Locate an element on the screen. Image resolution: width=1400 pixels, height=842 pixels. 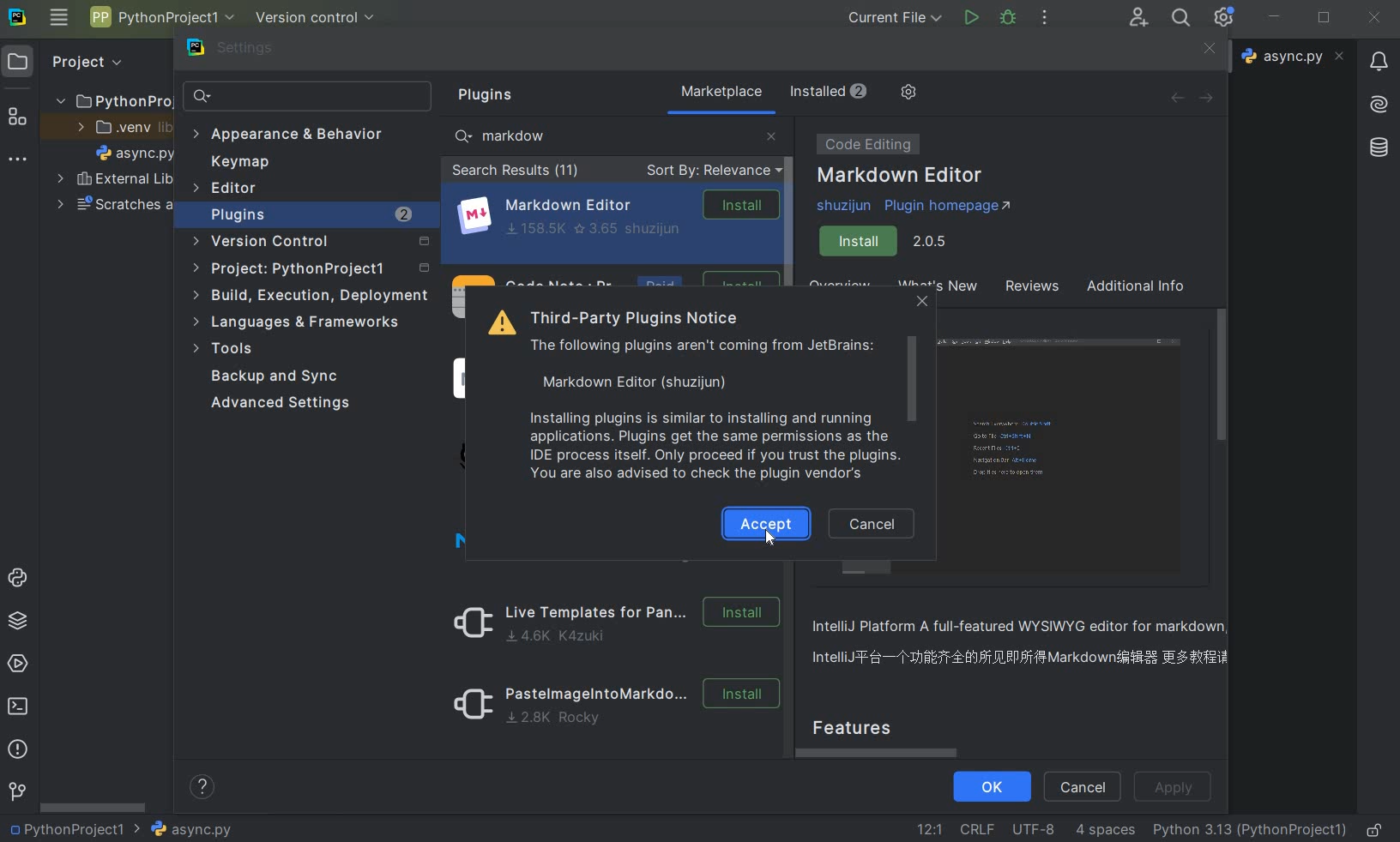
pastelmageintomarkdown is located at coordinates (611, 707).